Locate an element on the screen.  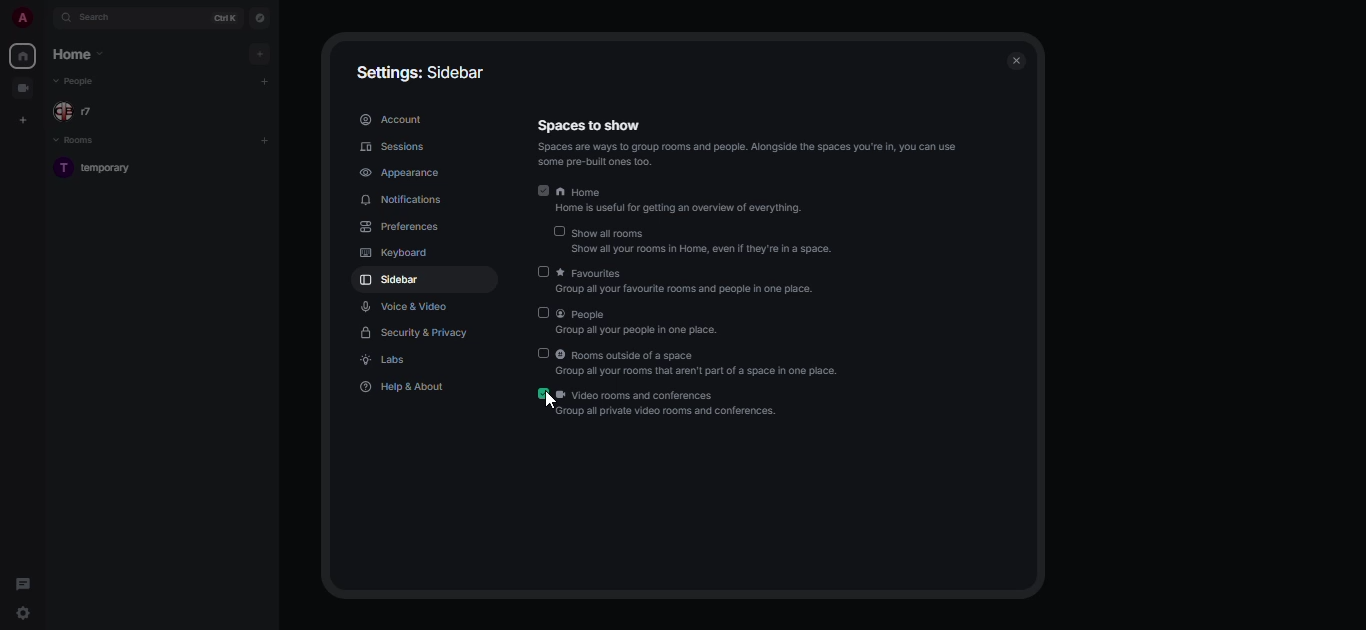
add is located at coordinates (264, 83).